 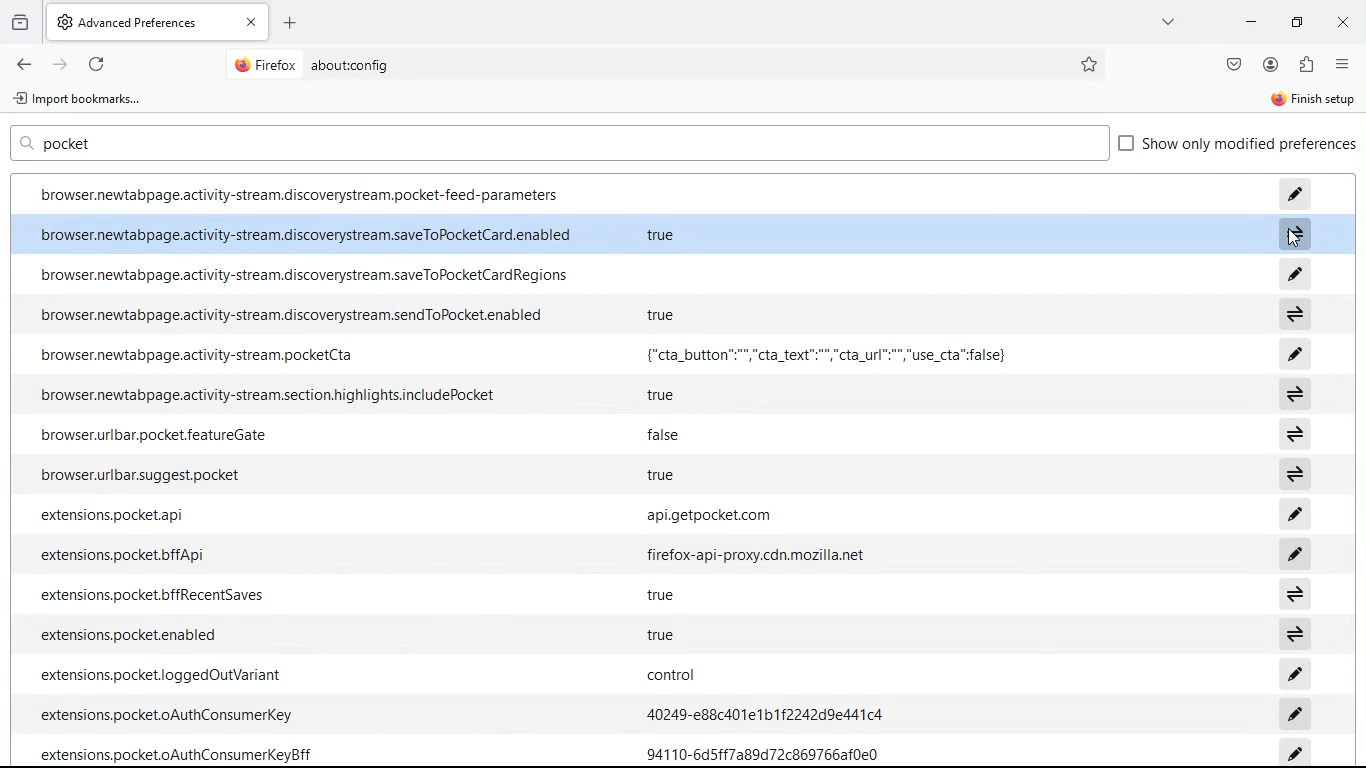 I want to click on maximize, so click(x=1293, y=23).